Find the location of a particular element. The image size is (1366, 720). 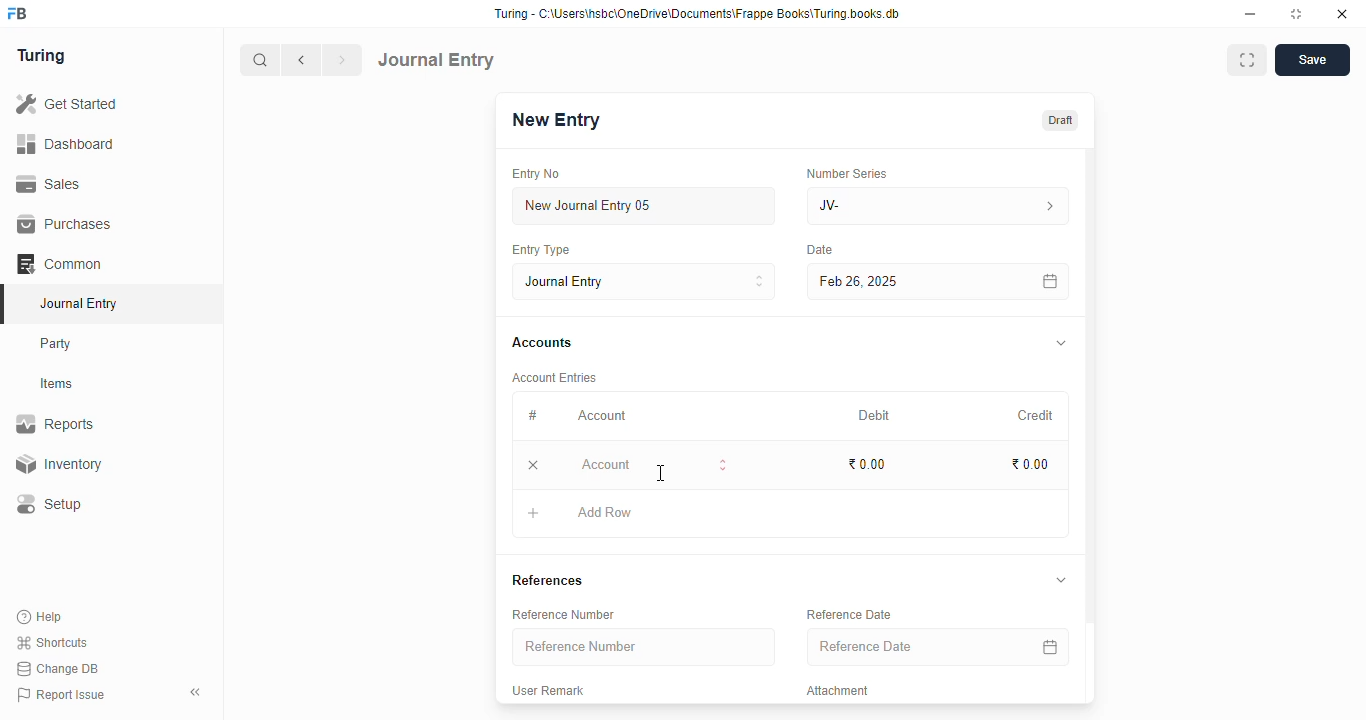

attachment is located at coordinates (838, 691).